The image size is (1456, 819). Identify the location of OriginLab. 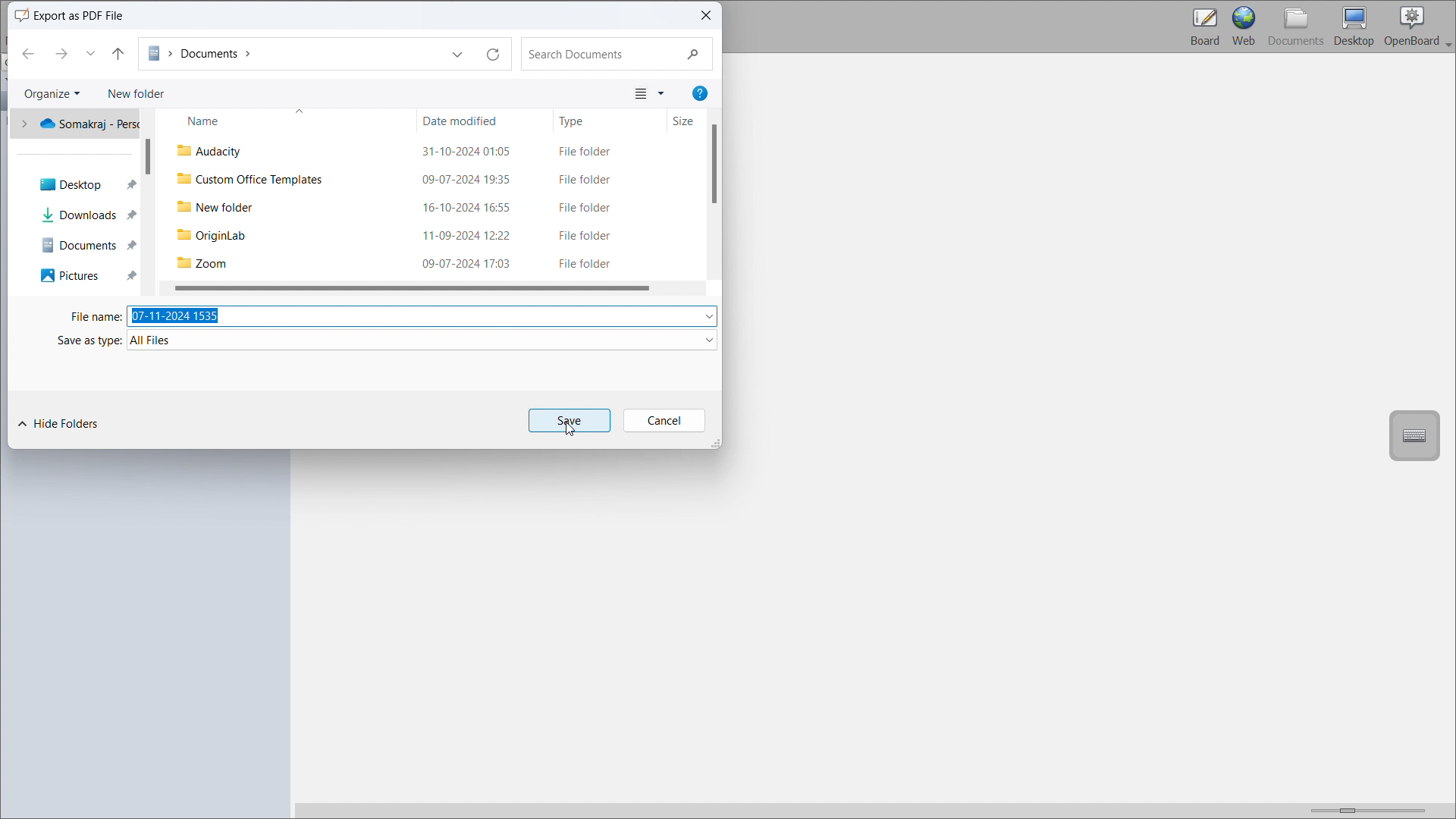
(218, 236).